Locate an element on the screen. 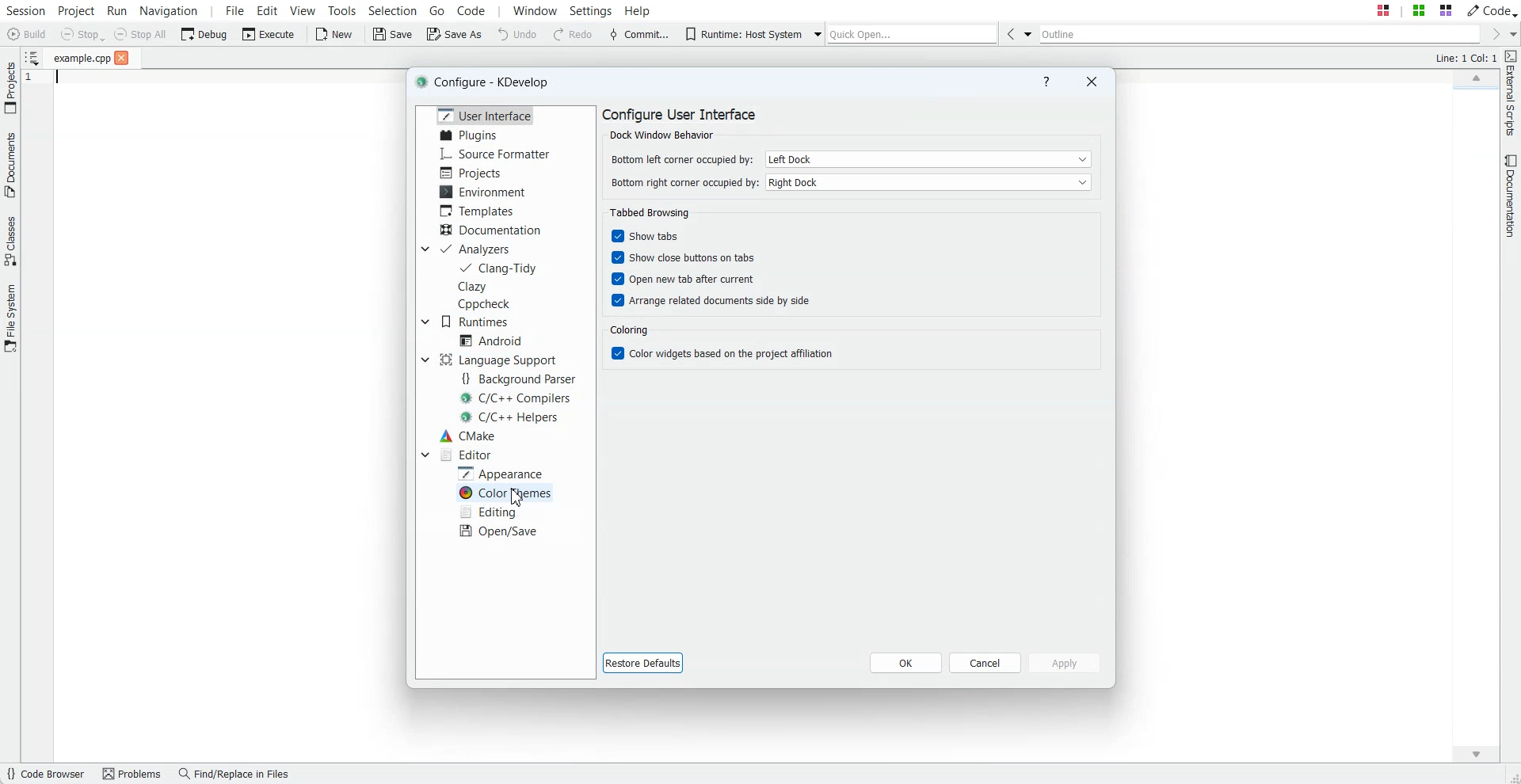 This screenshot has width=1521, height=784. CppCheck is located at coordinates (487, 304).